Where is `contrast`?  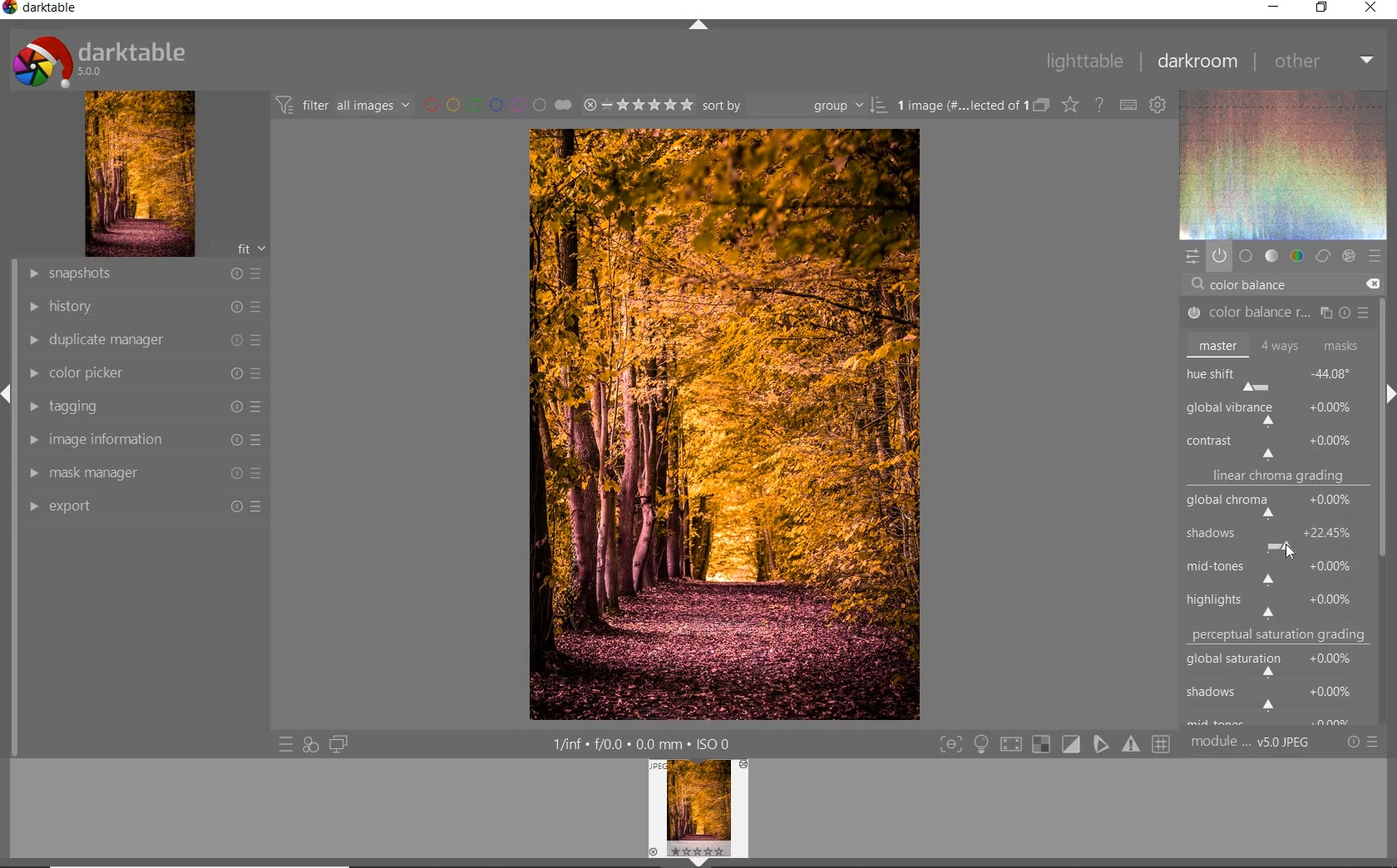 contrast is located at coordinates (1276, 445).